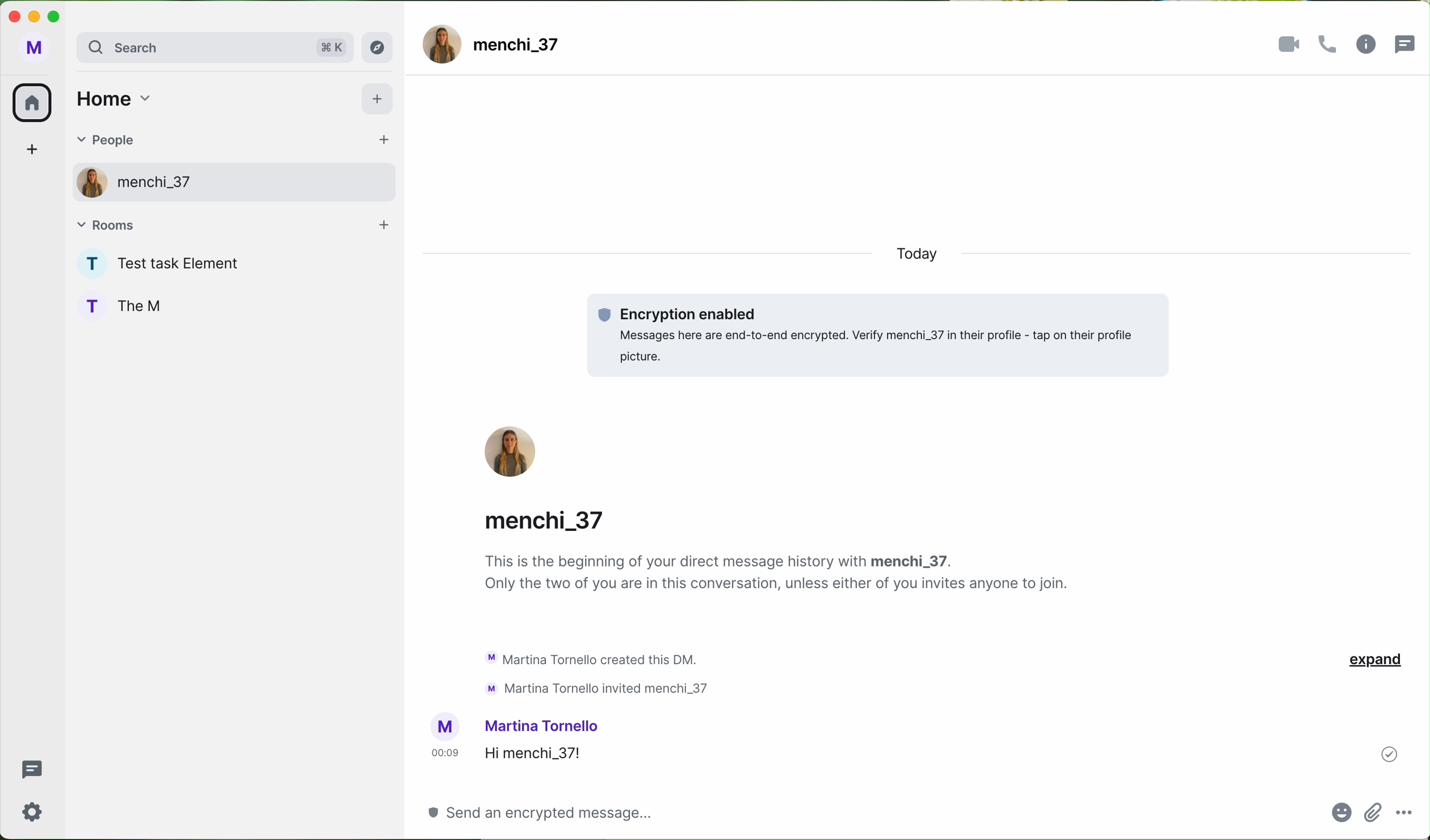  What do you see at coordinates (30, 770) in the screenshot?
I see `threads` at bounding box center [30, 770].